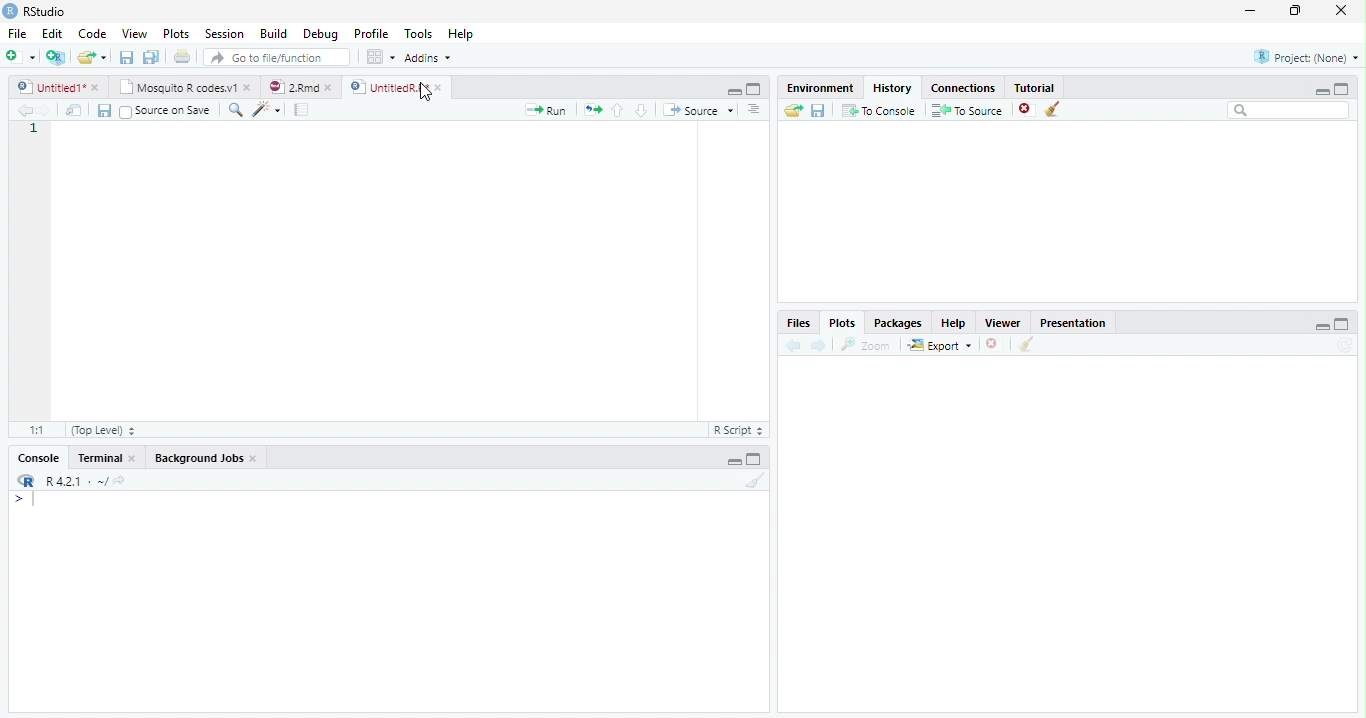 Image resolution: width=1366 pixels, height=718 pixels. I want to click on Rstudio, so click(33, 9).